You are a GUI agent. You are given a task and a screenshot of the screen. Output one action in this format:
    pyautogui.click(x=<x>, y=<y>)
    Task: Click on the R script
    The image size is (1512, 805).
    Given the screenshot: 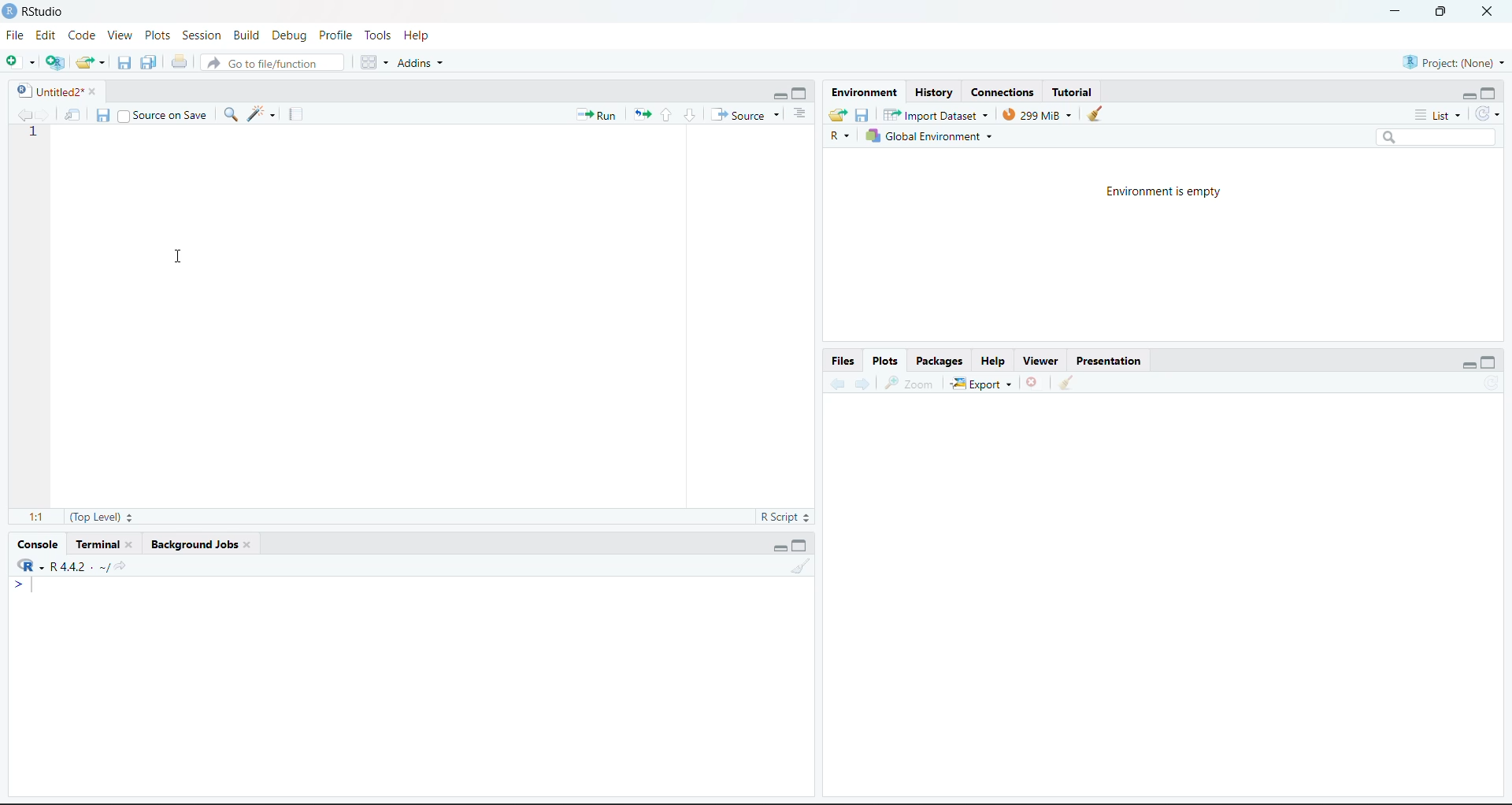 What is the action you would take?
    pyautogui.click(x=785, y=517)
    